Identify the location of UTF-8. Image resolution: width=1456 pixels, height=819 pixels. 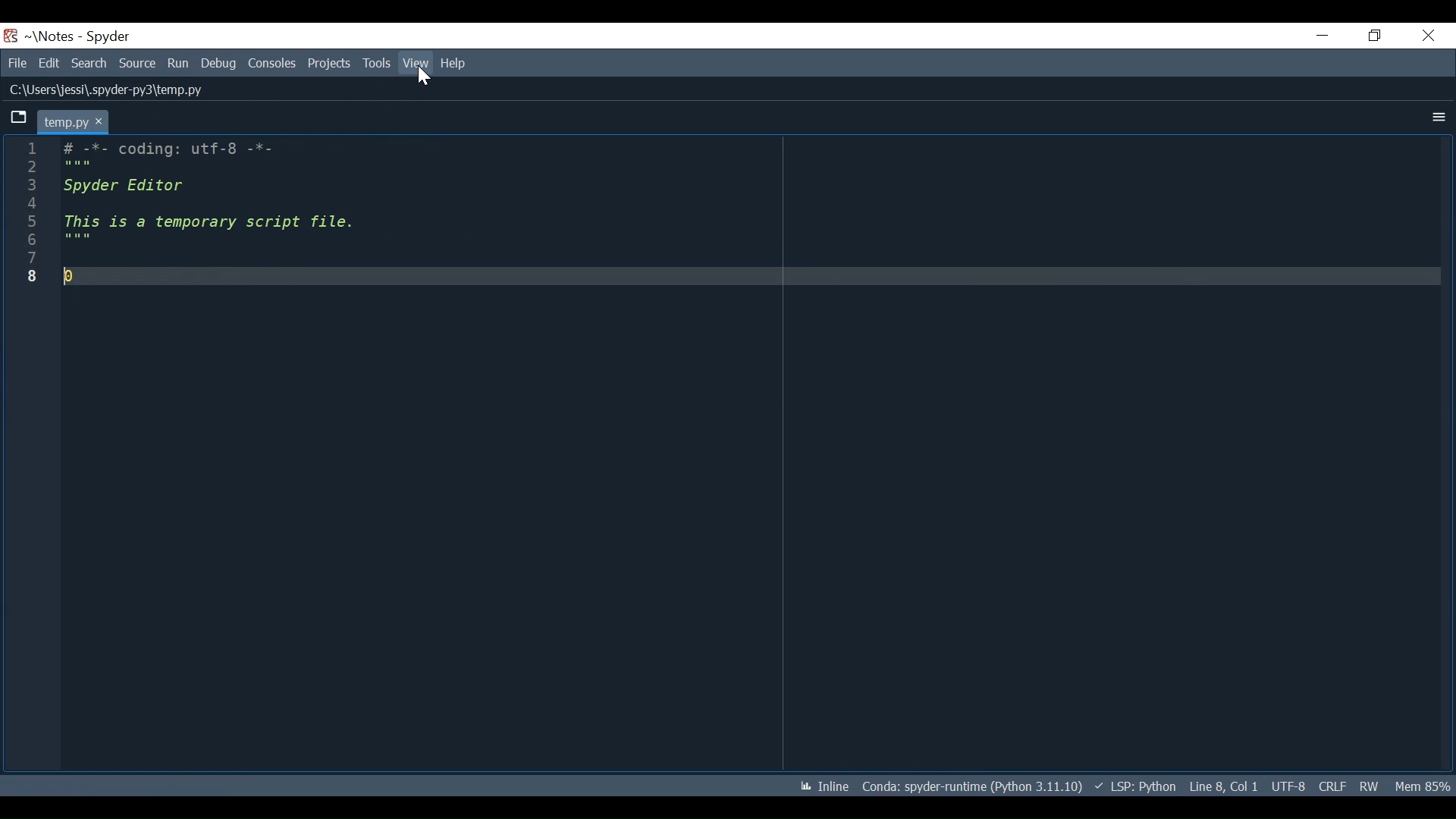
(1287, 787).